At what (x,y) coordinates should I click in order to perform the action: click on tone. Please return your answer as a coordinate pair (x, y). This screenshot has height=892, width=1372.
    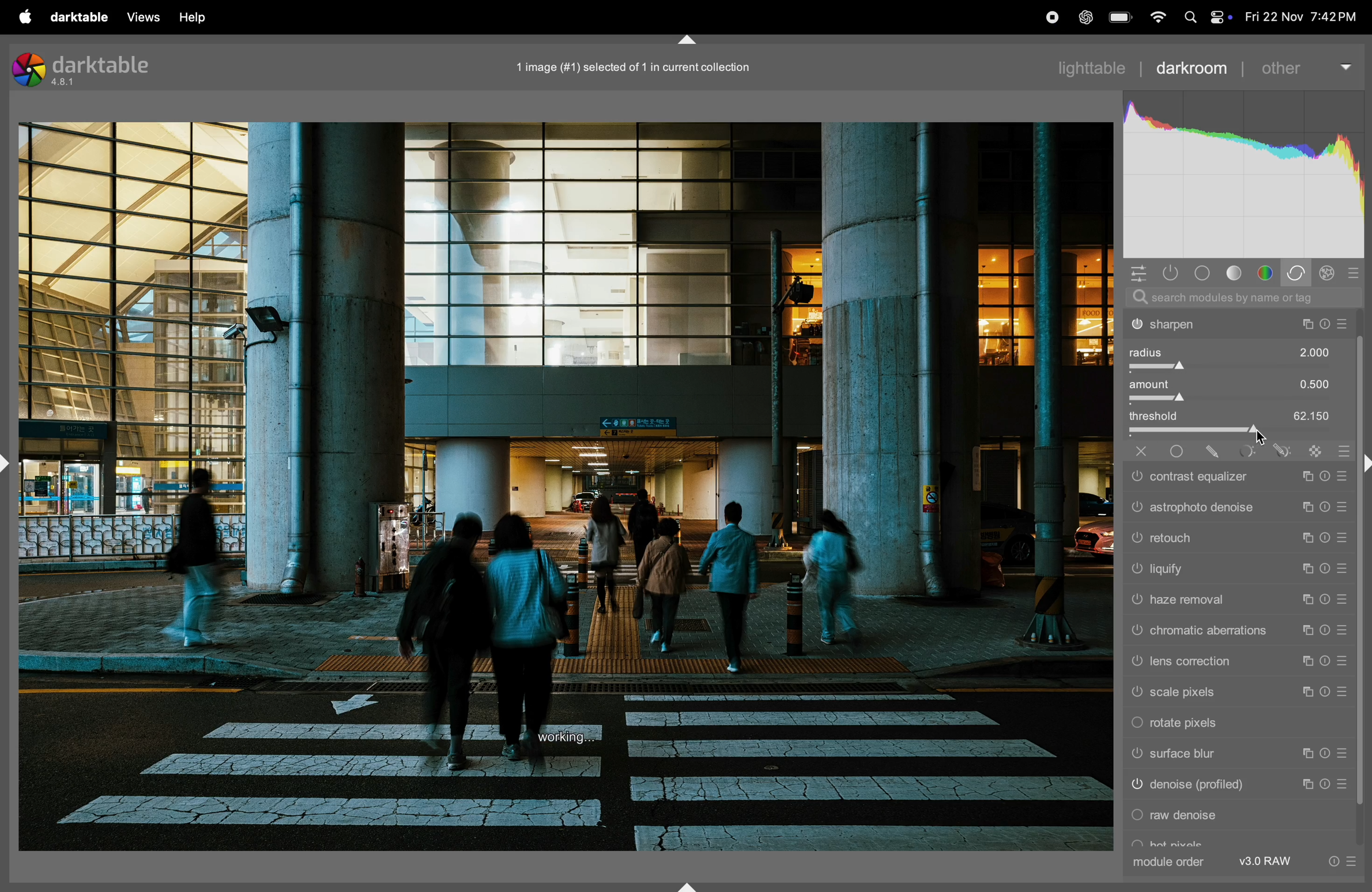
    Looking at the image, I should click on (1237, 273).